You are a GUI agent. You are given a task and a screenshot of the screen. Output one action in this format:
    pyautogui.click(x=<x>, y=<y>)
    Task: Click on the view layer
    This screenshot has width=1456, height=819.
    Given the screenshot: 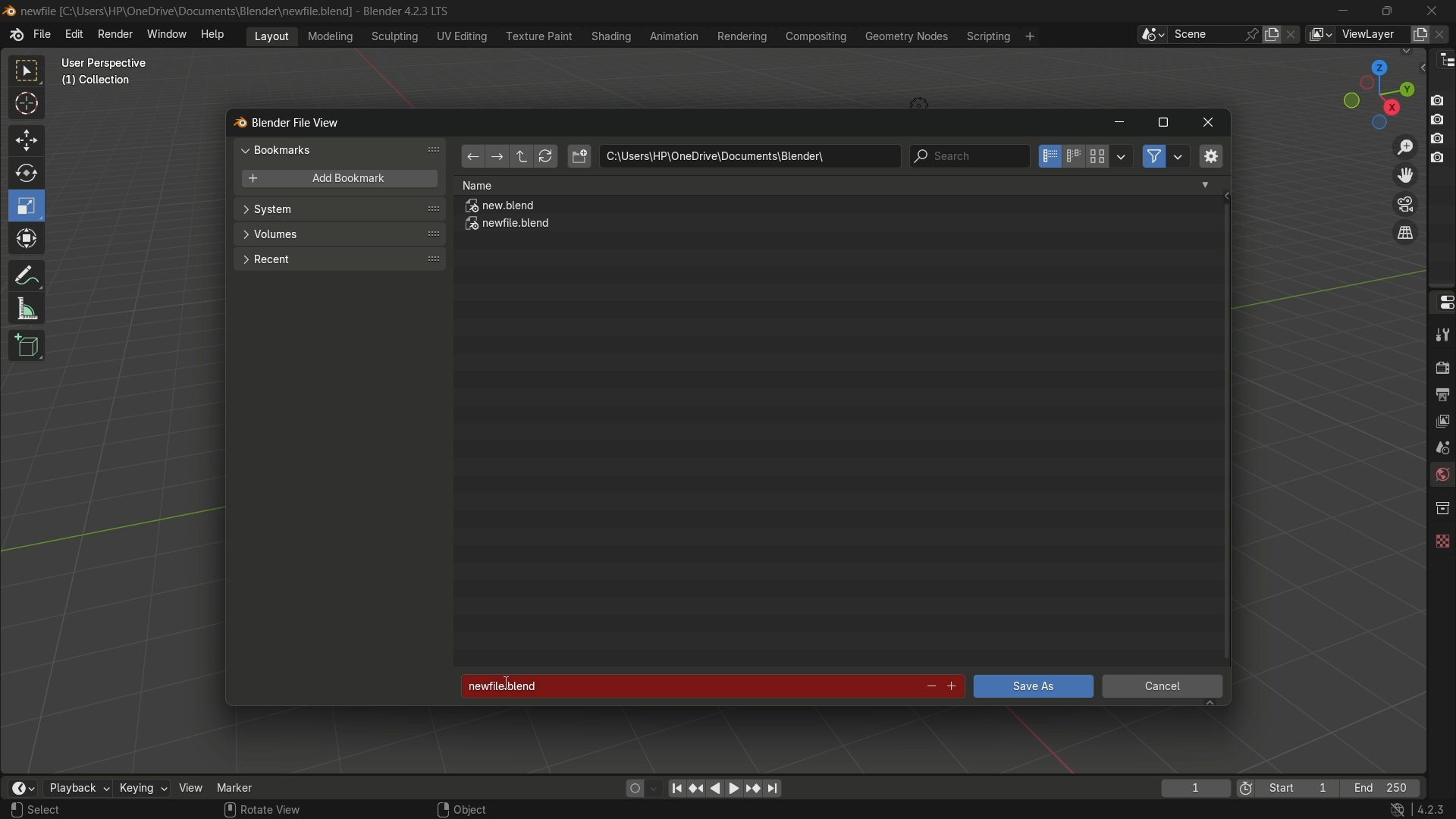 What is the action you would take?
    pyautogui.click(x=1441, y=419)
    